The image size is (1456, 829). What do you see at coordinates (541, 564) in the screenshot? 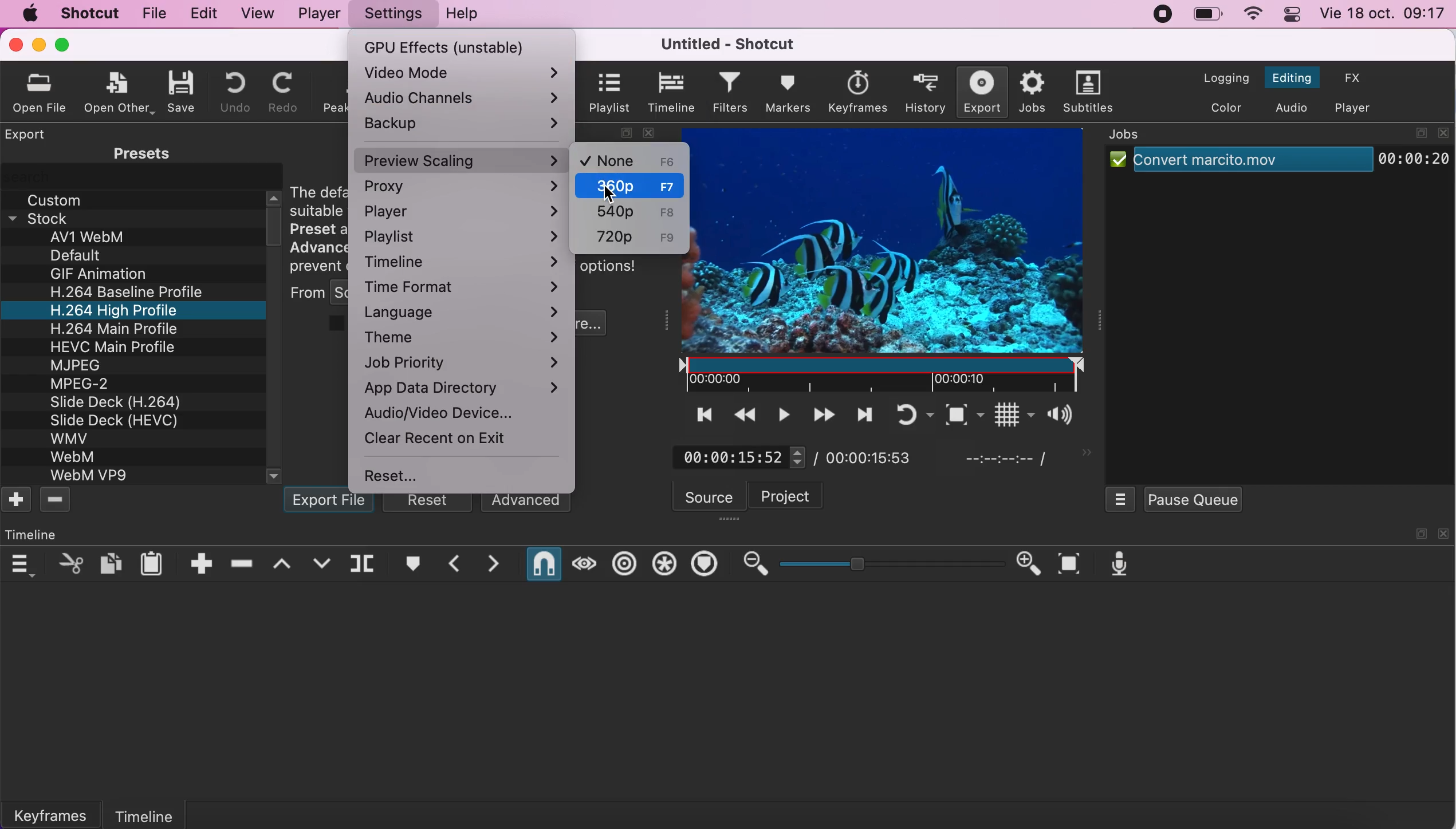
I see `snap` at bounding box center [541, 564].